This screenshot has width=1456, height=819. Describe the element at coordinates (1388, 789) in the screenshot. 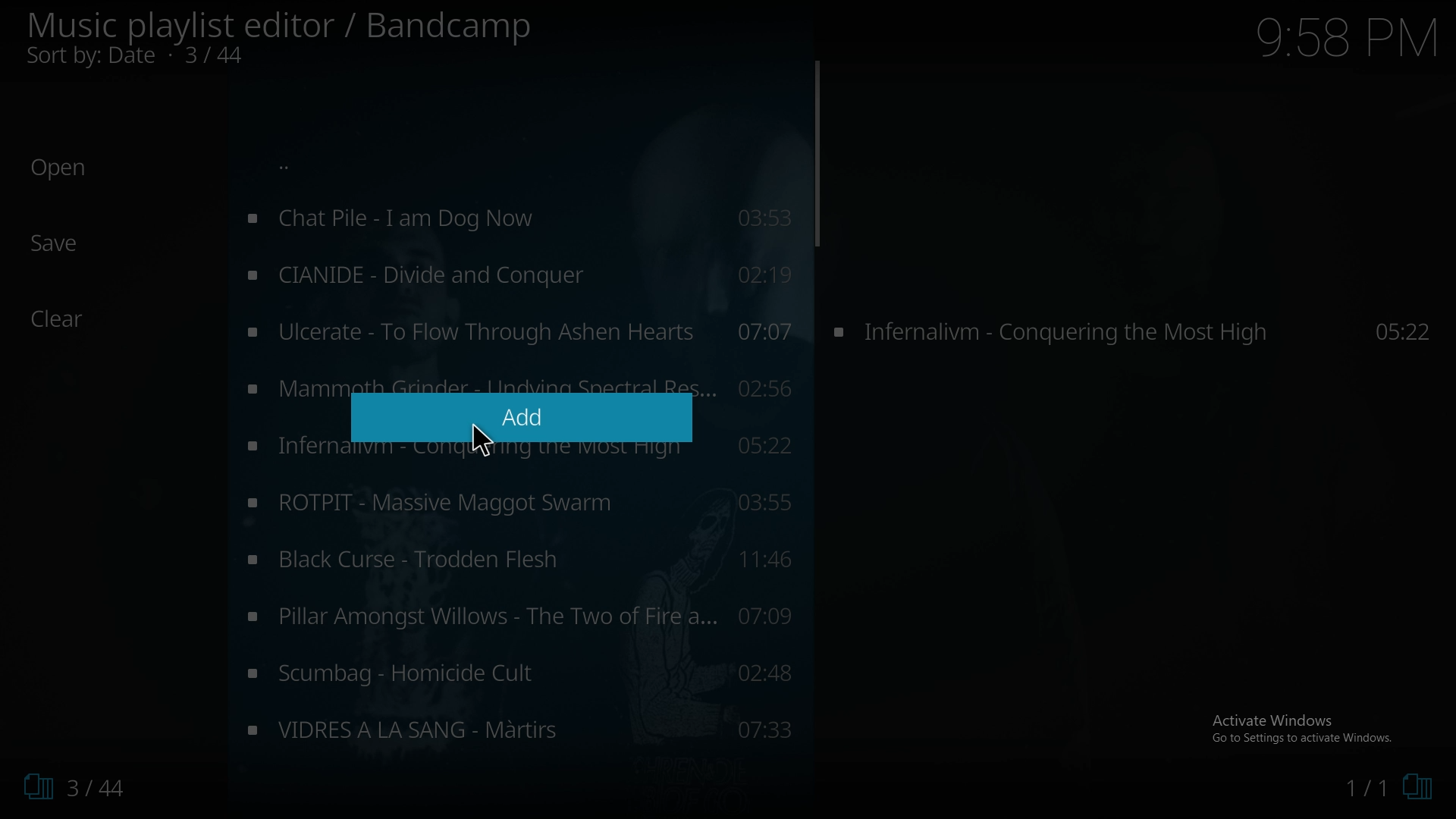

I see `1/0` at that location.